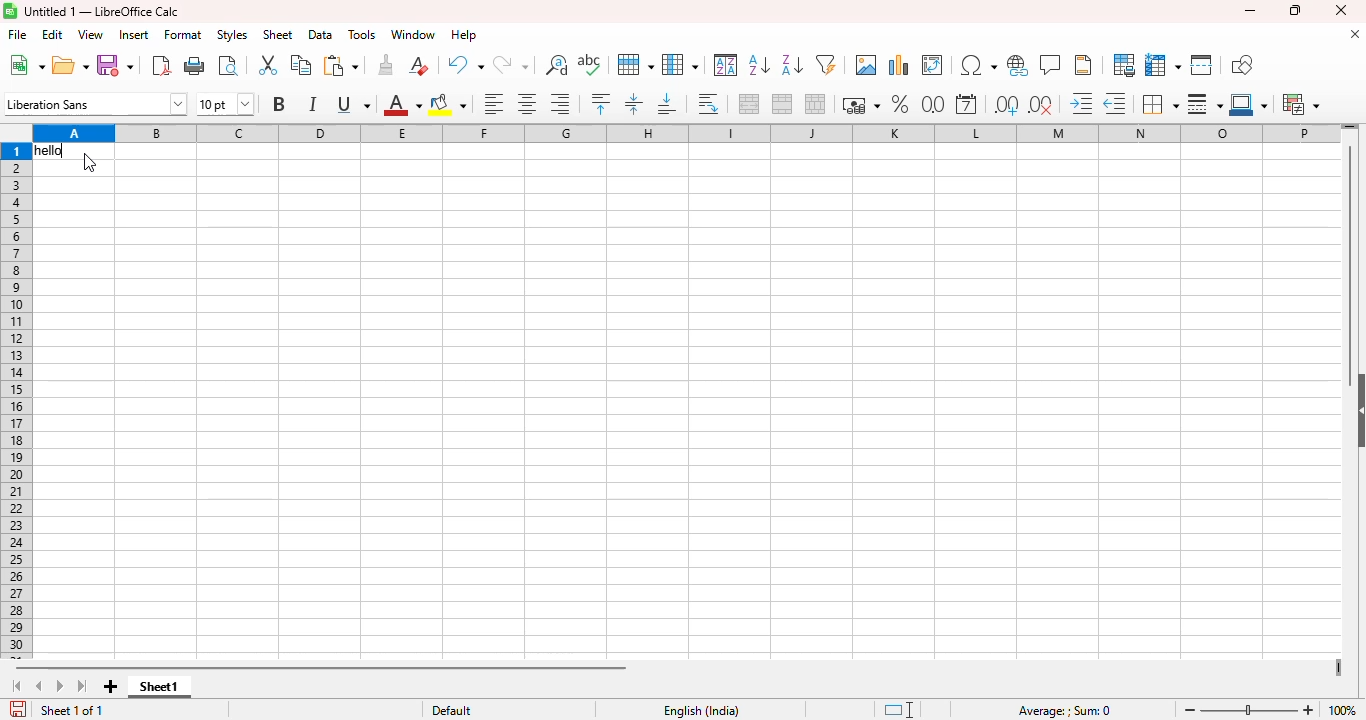 The height and width of the screenshot is (720, 1366). I want to click on sheet1, so click(159, 687).